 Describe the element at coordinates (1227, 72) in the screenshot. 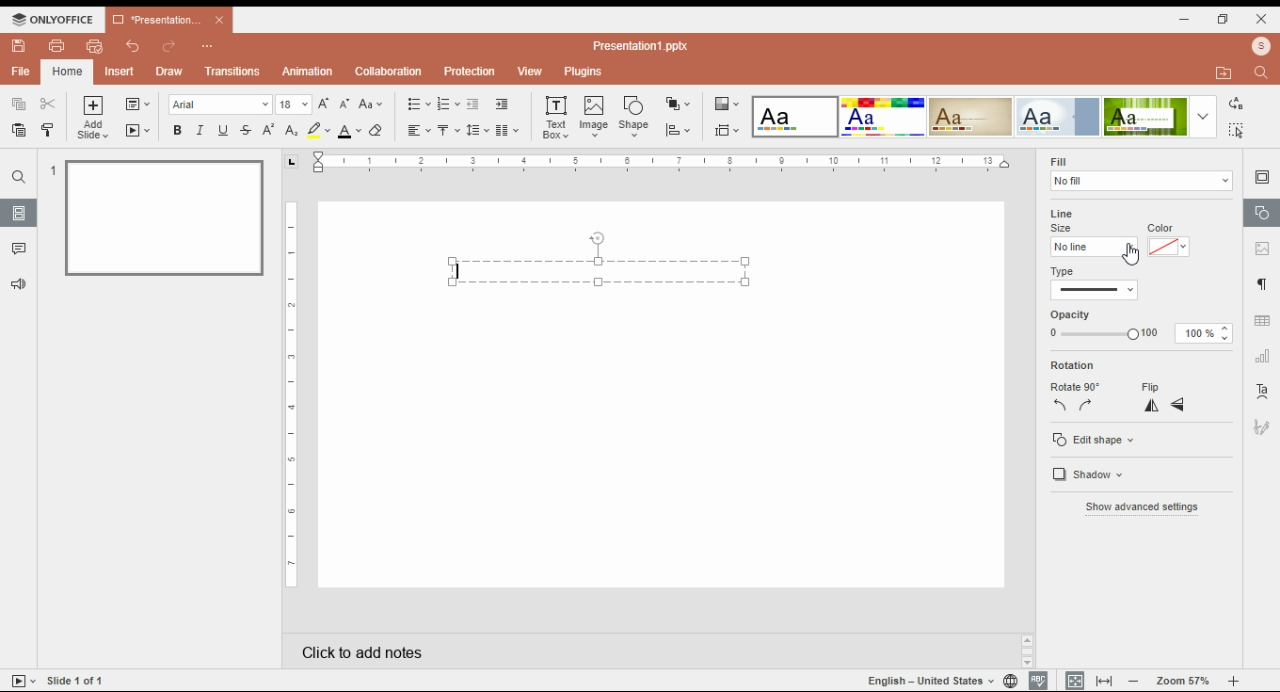

I see `open file location` at that location.